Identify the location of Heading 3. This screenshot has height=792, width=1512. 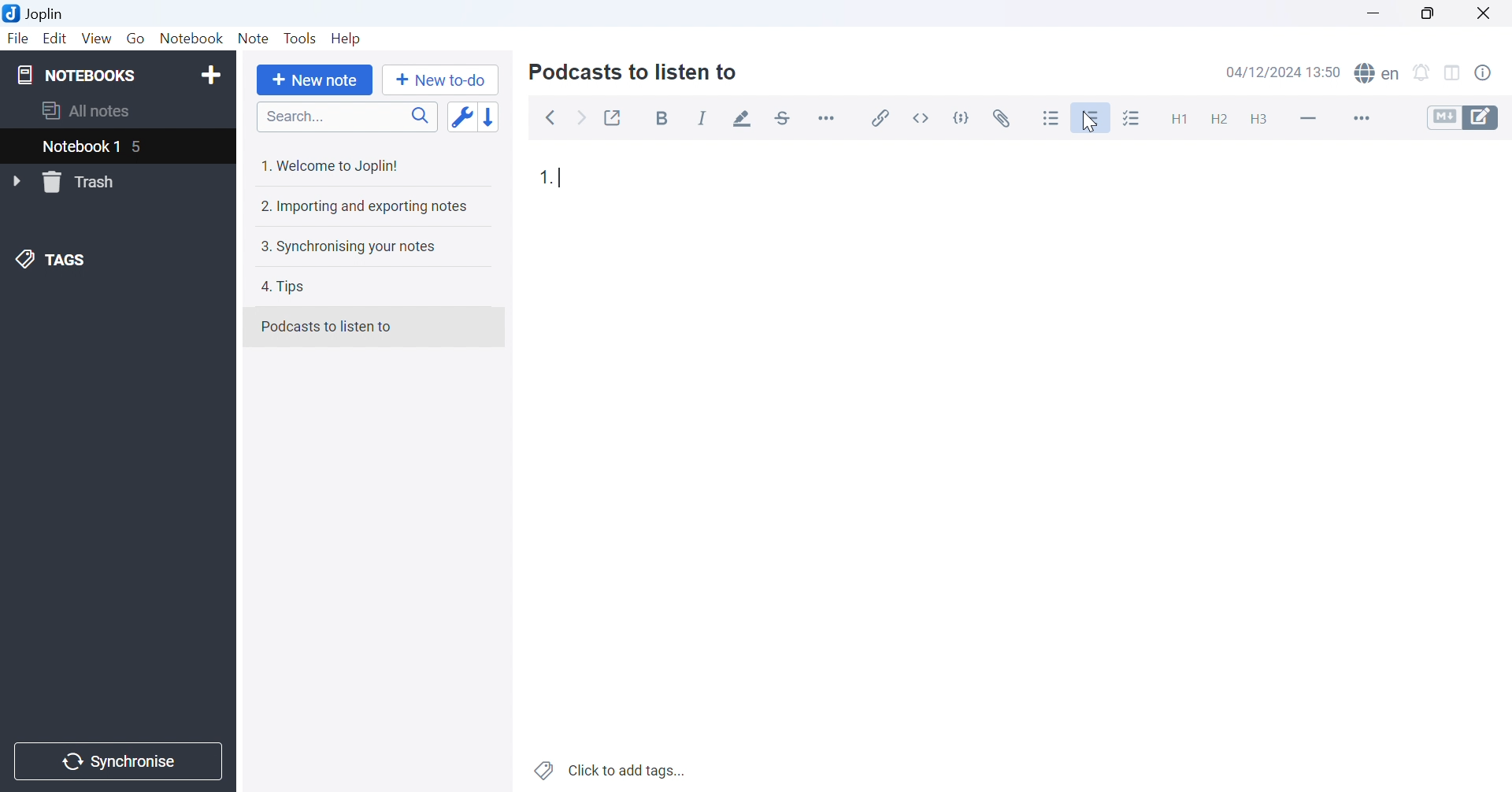
(1260, 120).